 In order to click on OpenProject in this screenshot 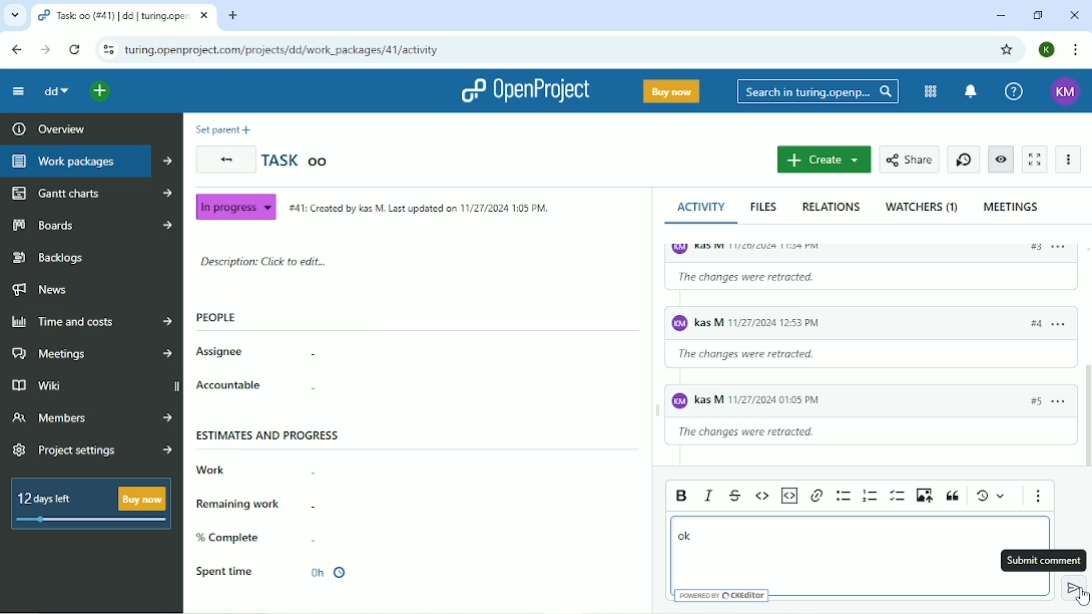, I will do `click(526, 91)`.